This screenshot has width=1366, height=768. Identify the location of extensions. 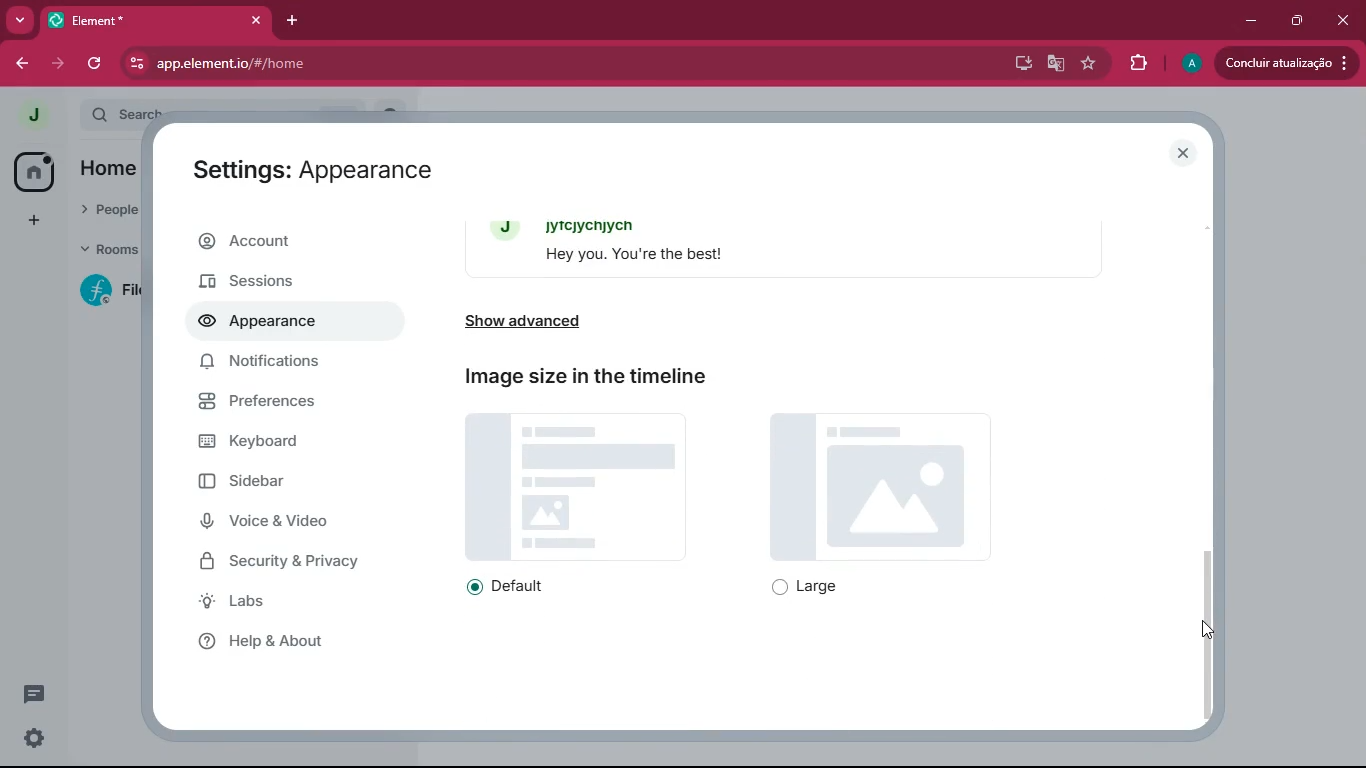
(1132, 64).